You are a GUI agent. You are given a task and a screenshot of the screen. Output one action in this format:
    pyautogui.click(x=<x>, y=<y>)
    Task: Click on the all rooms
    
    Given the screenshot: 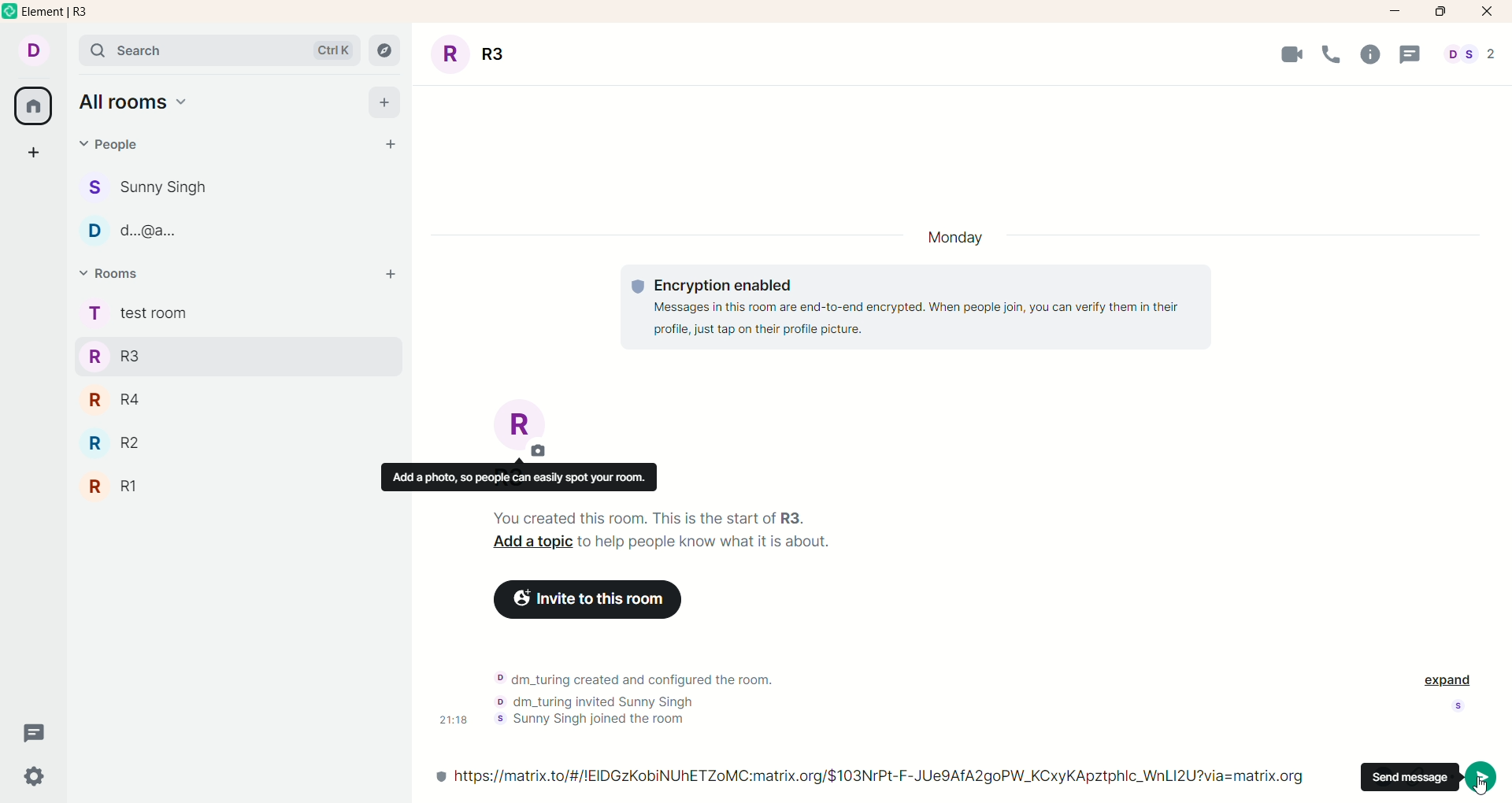 What is the action you would take?
    pyautogui.click(x=31, y=109)
    